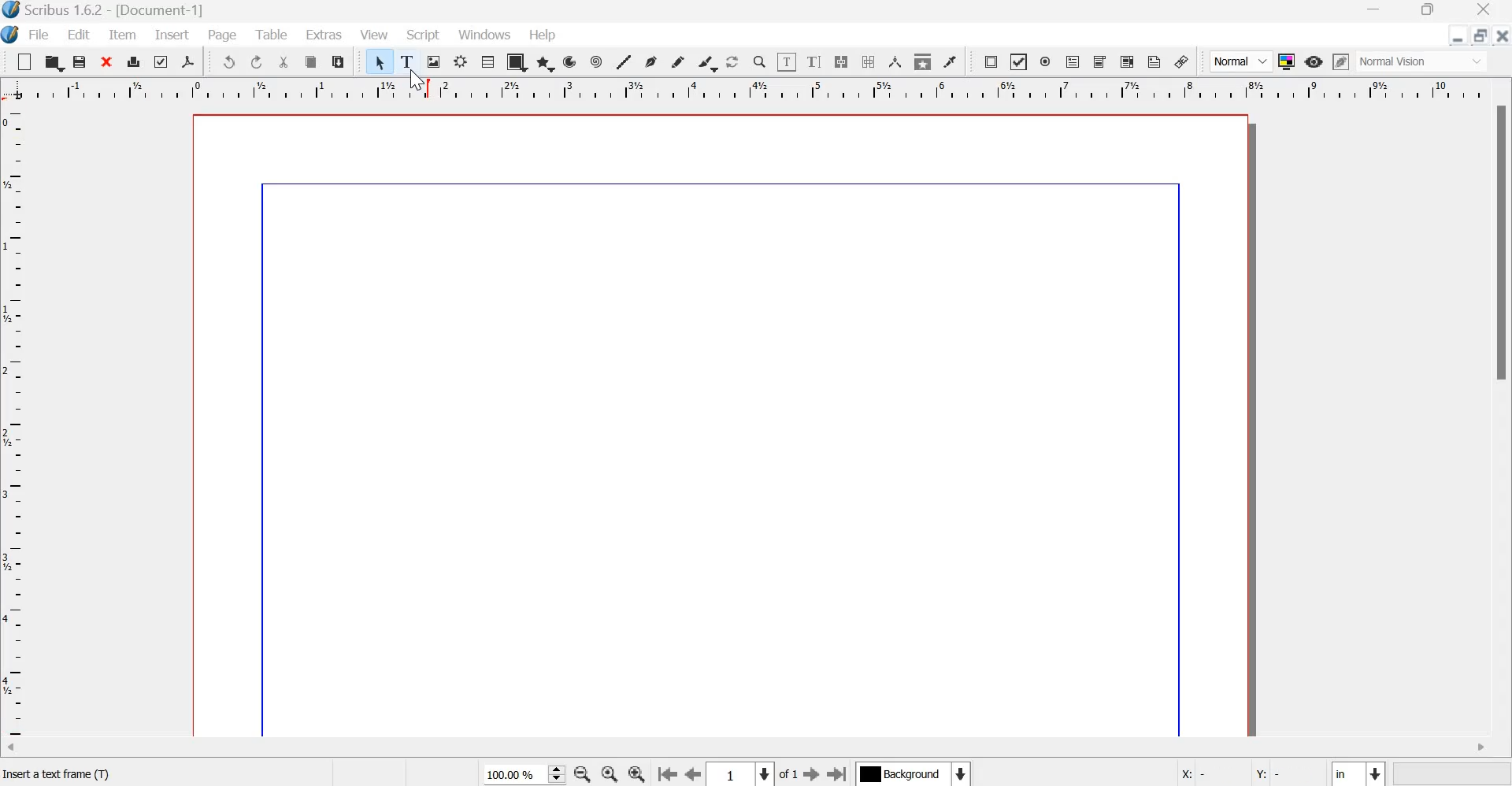 This screenshot has height=786, width=1512. Describe the element at coordinates (598, 61) in the screenshot. I see `spiral` at that location.